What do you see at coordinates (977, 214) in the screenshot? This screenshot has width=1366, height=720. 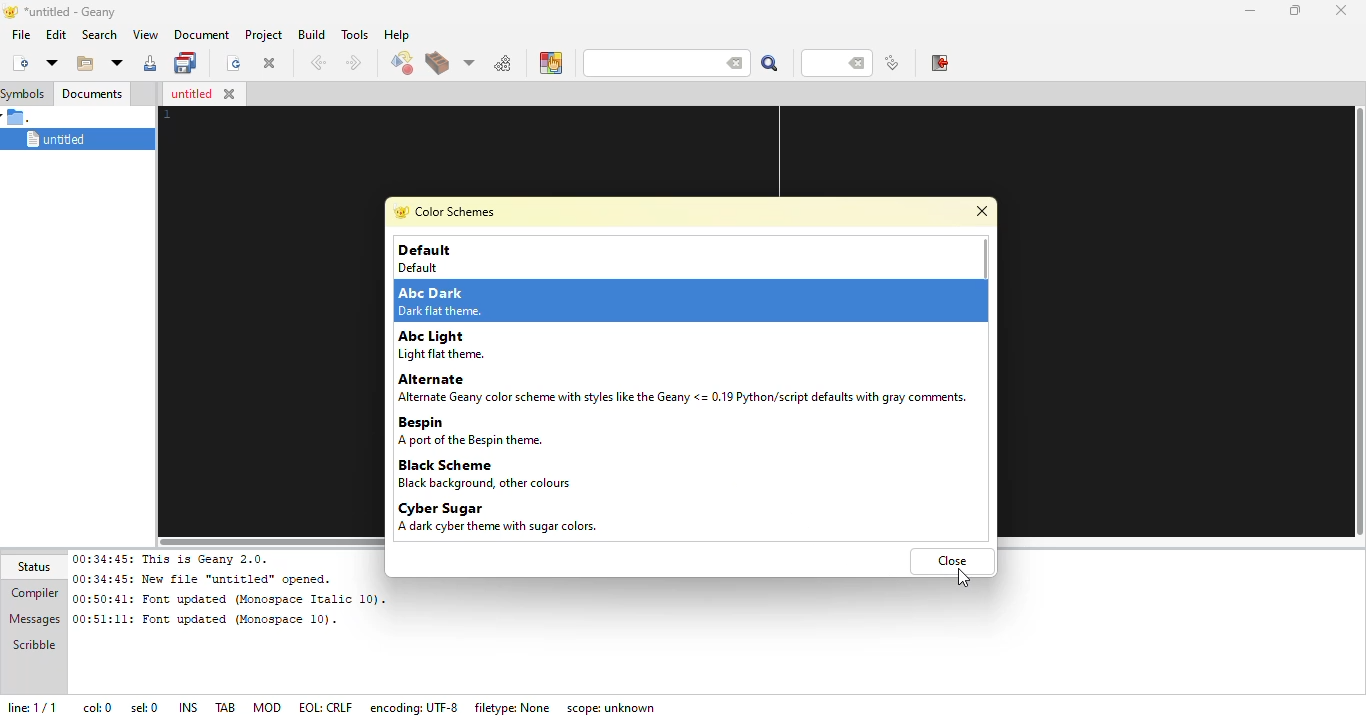 I see `close` at bounding box center [977, 214].